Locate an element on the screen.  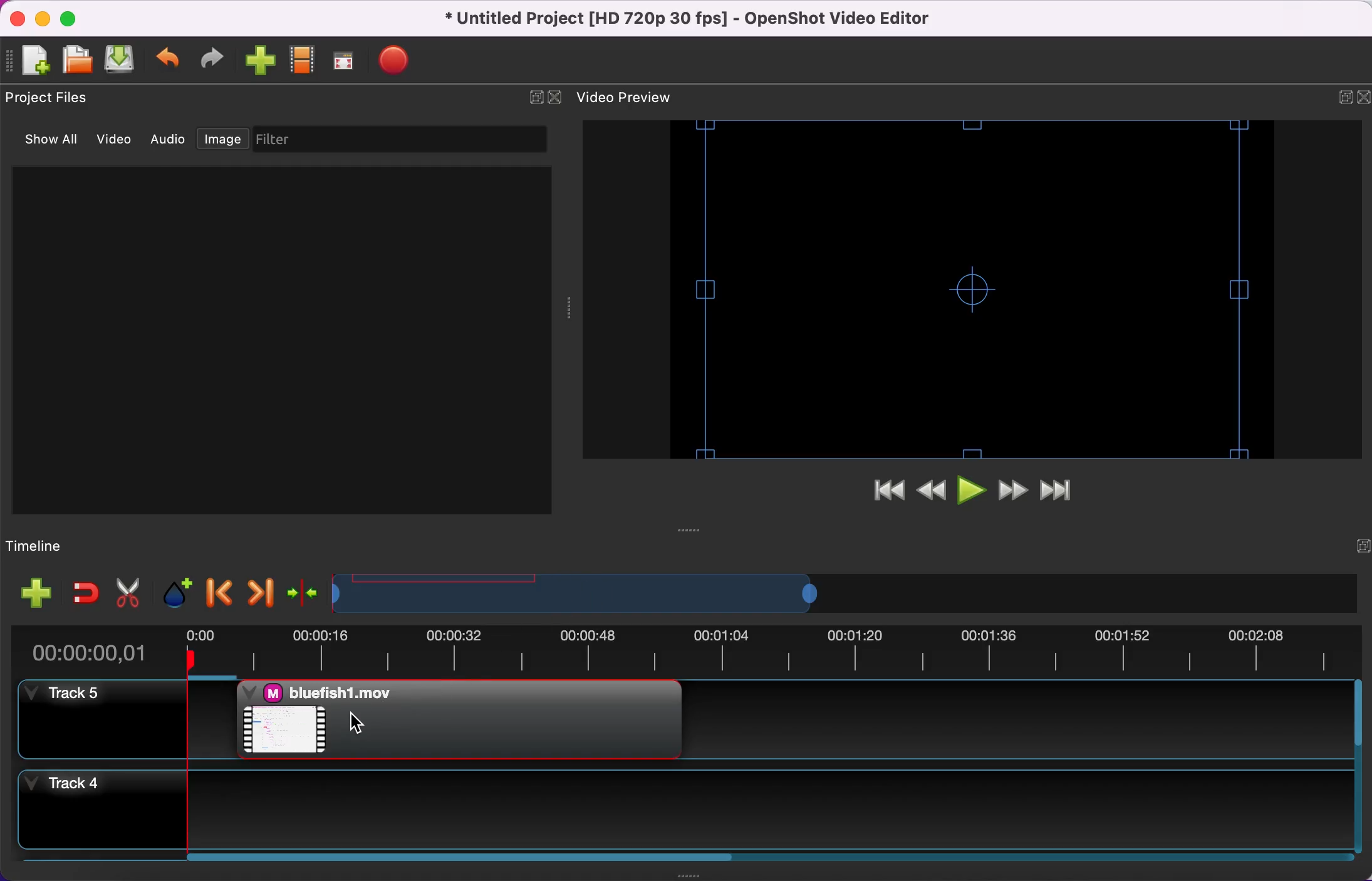
undo is located at coordinates (172, 61).